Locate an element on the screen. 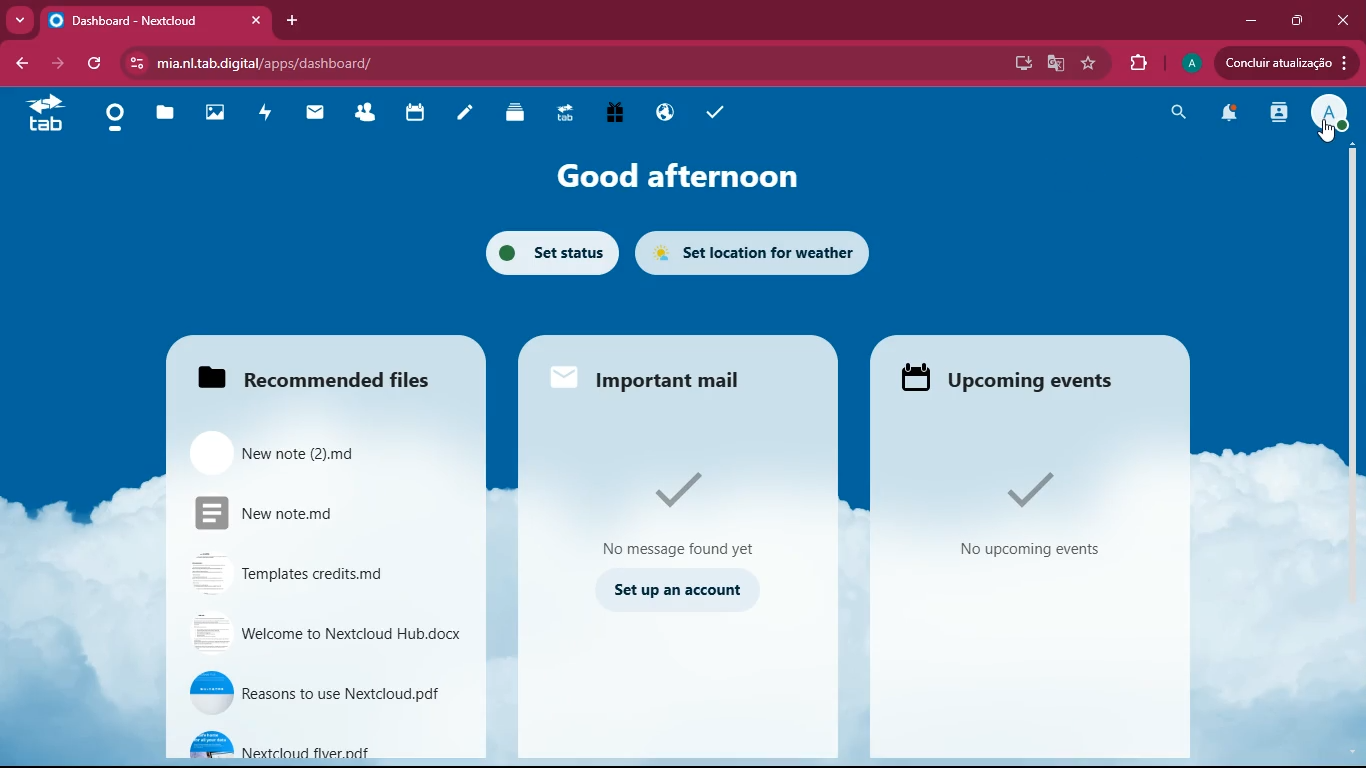 The image size is (1366, 768). set location for weather is located at coordinates (767, 255).